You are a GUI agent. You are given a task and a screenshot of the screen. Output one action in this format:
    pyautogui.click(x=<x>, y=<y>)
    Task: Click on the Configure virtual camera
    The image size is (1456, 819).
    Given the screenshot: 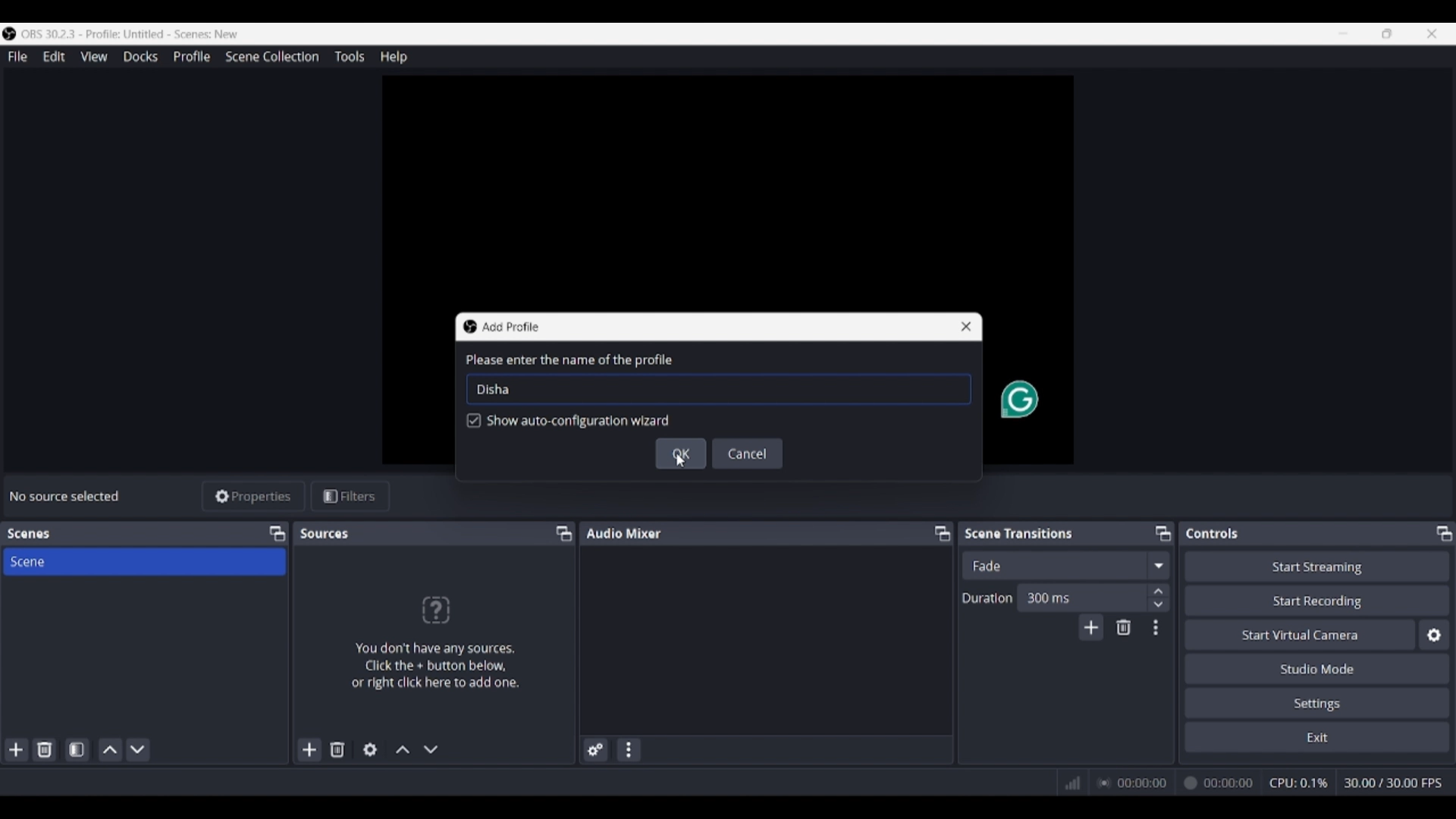 What is the action you would take?
    pyautogui.click(x=1434, y=635)
    